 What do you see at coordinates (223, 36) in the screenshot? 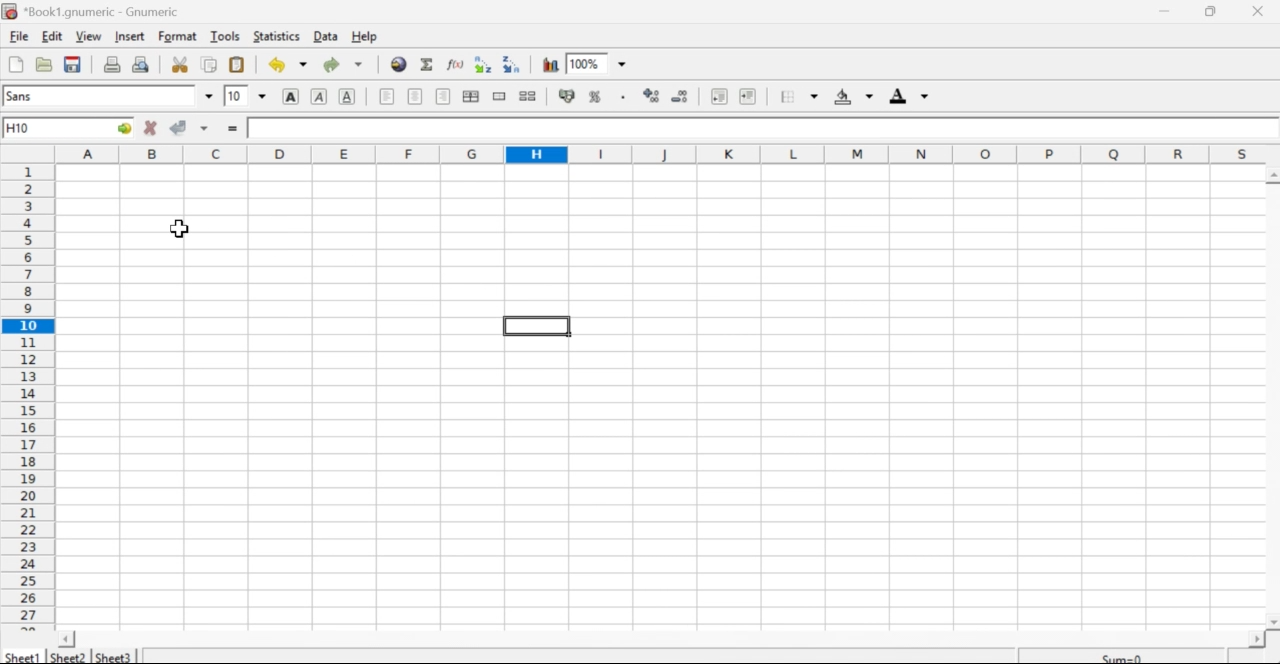
I see `Tools` at bounding box center [223, 36].